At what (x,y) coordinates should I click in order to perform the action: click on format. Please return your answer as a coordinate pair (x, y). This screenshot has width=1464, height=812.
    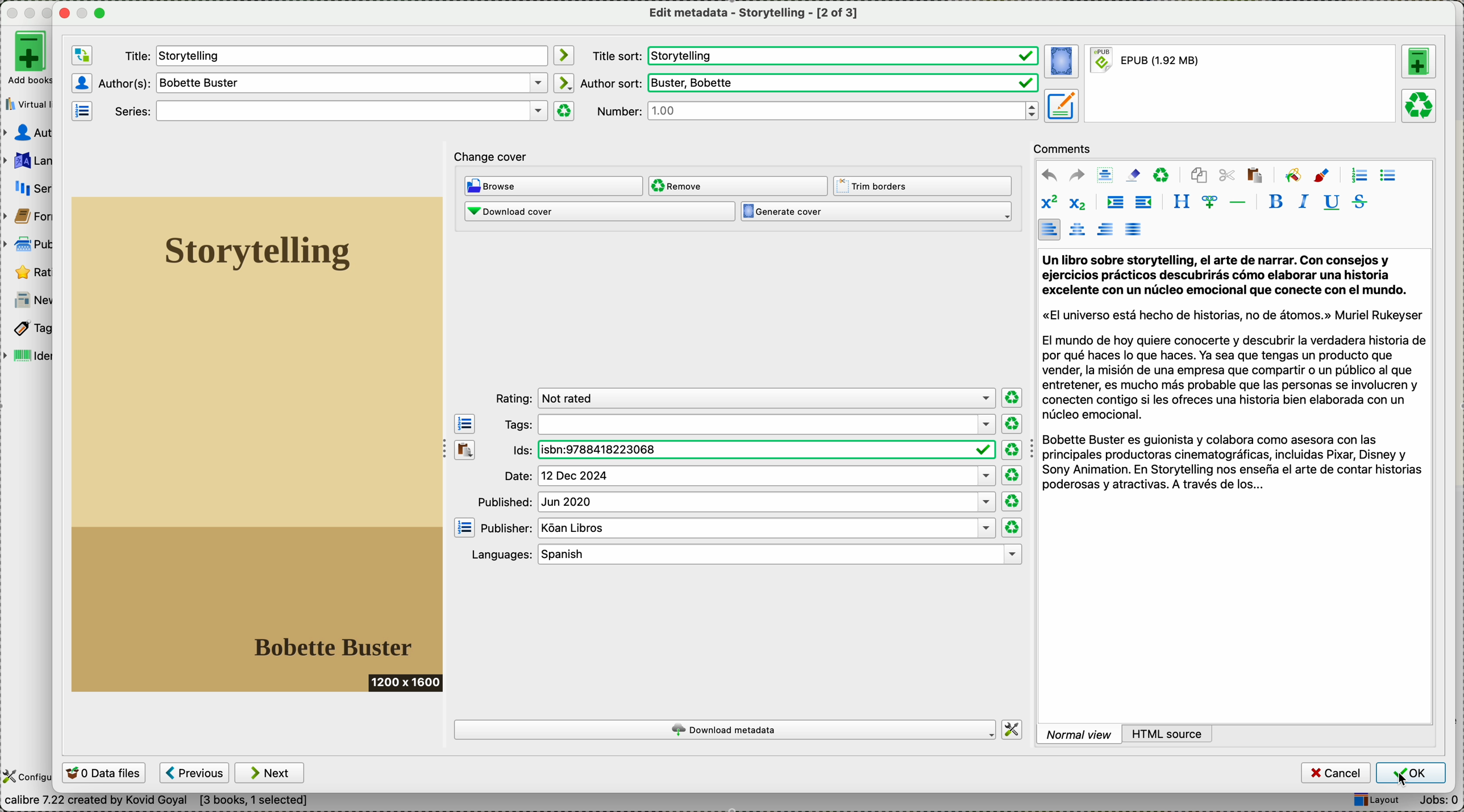
    Looking at the image, I should click on (1240, 85).